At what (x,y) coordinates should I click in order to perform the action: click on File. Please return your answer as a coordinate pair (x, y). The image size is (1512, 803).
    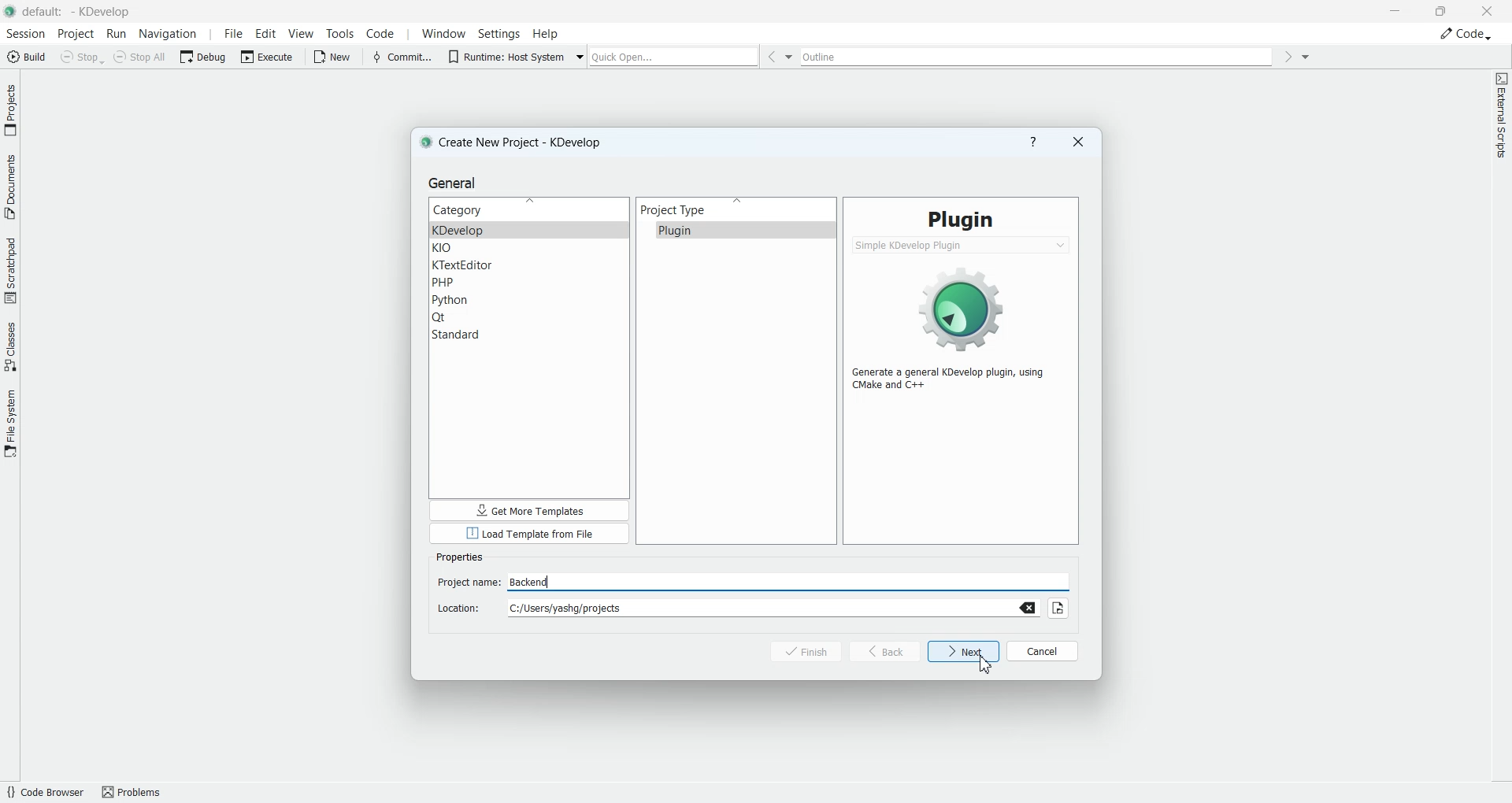
    Looking at the image, I should click on (231, 34).